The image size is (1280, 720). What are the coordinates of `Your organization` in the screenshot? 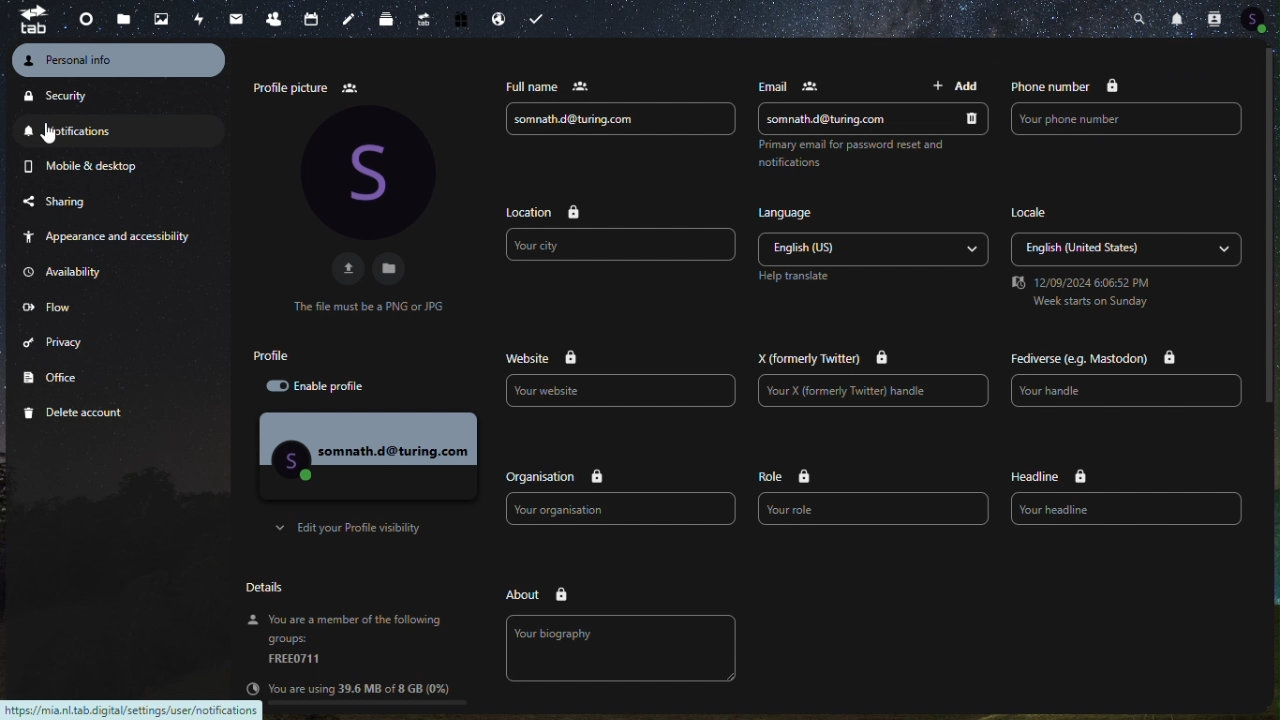 It's located at (619, 509).